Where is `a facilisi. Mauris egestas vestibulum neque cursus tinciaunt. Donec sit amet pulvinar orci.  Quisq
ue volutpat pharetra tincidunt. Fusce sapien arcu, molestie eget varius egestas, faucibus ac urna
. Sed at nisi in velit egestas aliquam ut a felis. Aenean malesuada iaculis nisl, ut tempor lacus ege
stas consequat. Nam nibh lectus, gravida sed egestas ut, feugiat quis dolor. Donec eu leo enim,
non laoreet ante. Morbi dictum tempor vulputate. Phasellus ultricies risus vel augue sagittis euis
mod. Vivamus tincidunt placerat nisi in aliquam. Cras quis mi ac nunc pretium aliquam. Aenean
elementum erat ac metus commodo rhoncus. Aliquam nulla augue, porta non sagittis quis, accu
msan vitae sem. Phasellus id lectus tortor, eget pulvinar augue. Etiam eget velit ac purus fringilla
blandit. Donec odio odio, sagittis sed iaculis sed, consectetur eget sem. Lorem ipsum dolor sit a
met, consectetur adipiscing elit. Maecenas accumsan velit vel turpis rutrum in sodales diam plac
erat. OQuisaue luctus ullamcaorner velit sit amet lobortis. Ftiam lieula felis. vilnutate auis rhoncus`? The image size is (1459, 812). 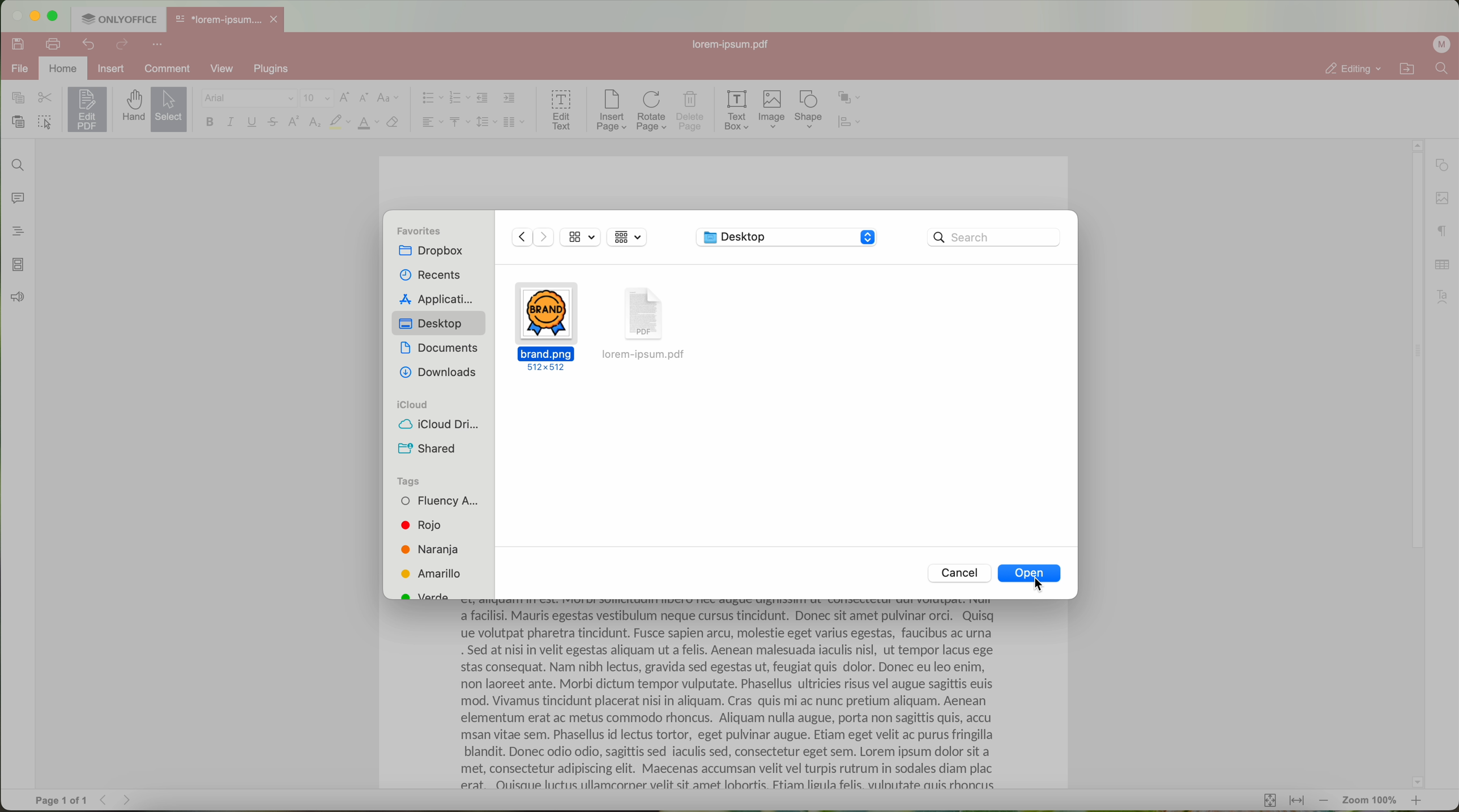 a facilisi. Mauris egestas vestibulum neque cursus tinciaunt. Donec sit amet pulvinar orci.  Quisq
ue volutpat pharetra tincidunt. Fusce sapien arcu, molestie eget varius egestas, faucibus ac urna
. Sed at nisi in velit egestas aliquam ut a felis. Aenean malesuada iaculis nisl, ut tempor lacus ege
stas consequat. Nam nibh lectus, gravida sed egestas ut, feugiat quis dolor. Donec eu leo enim,
non laoreet ante. Morbi dictum tempor vulputate. Phasellus ultricies risus vel augue sagittis euis
mod. Vivamus tincidunt placerat nisi in aliquam. Cras quis mi ac nunc pretium aliquam. Aenean
elementum erat ac metus commodo rhoncus. Aliquam nulla augue, porta non sagittis quis, accu
msan vitae sem. Phasellus id lectus tortor, eget pulvinar augue. Etiam eget velit ac purus fringilla
blandit. Donec odio odio, sagittis sed iaculis sed, consectetur eget sem. Lorem ipsum dolor sit a
met, consectetur adipiscing elit. Maecenas accumsan velit vel turpis rutrum in sodales diam plac
erat. OQuisaue luctus ullamcaorner velit sit amet lobortis. Ftiam lieula felis. vilnutate auis rhoncus is located at coordinates (735, 702).